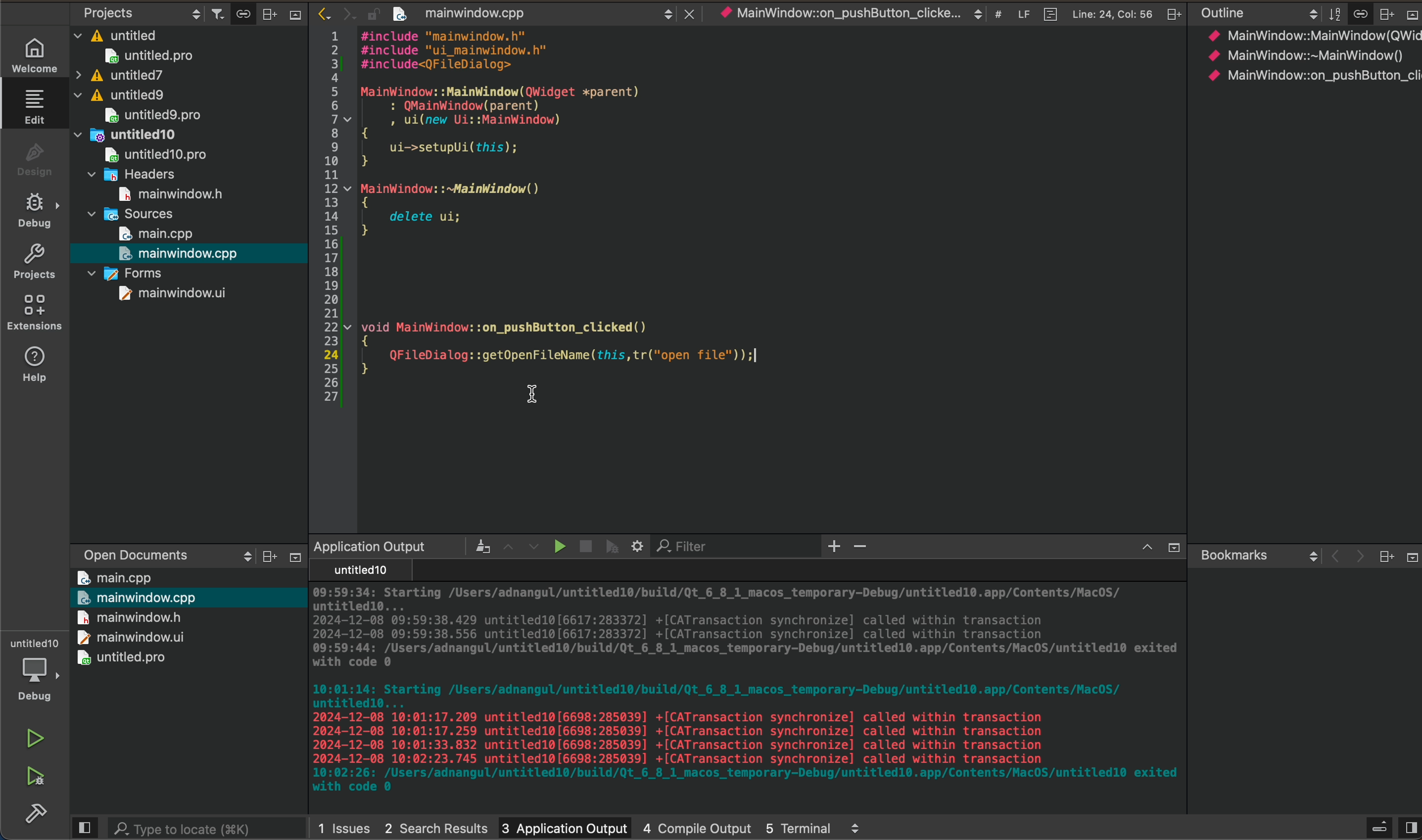 This screenshot has height=840, width=1422. Describe the element at coordinates (344, 825) in the screenshot. I see `1 issues` at that location.